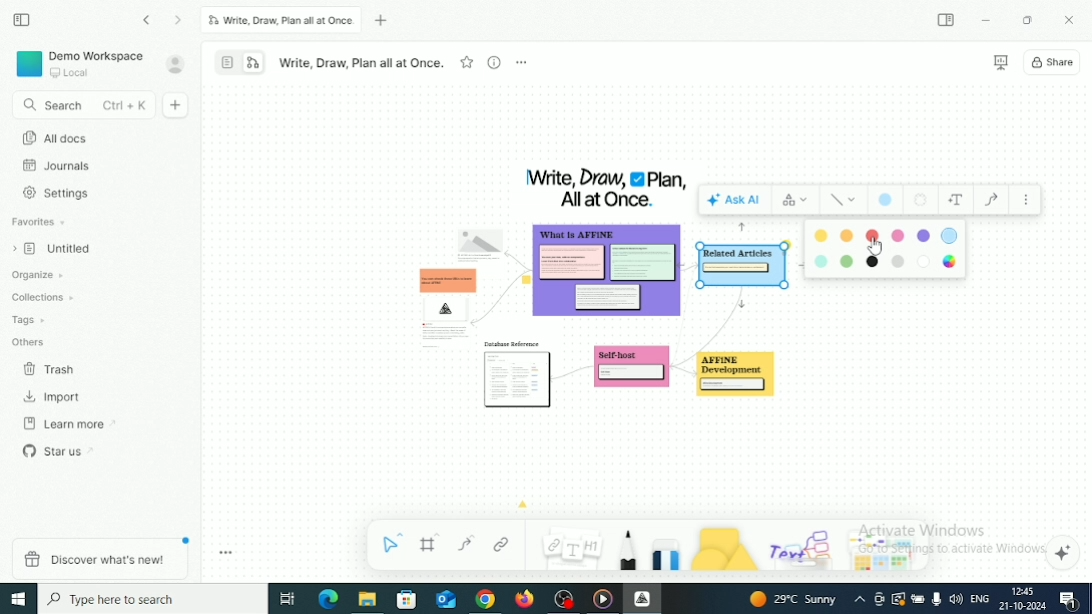 Image resolution: width=1092 pixels, height=614 pixels. I want to click on New tab, so click(384, 21).